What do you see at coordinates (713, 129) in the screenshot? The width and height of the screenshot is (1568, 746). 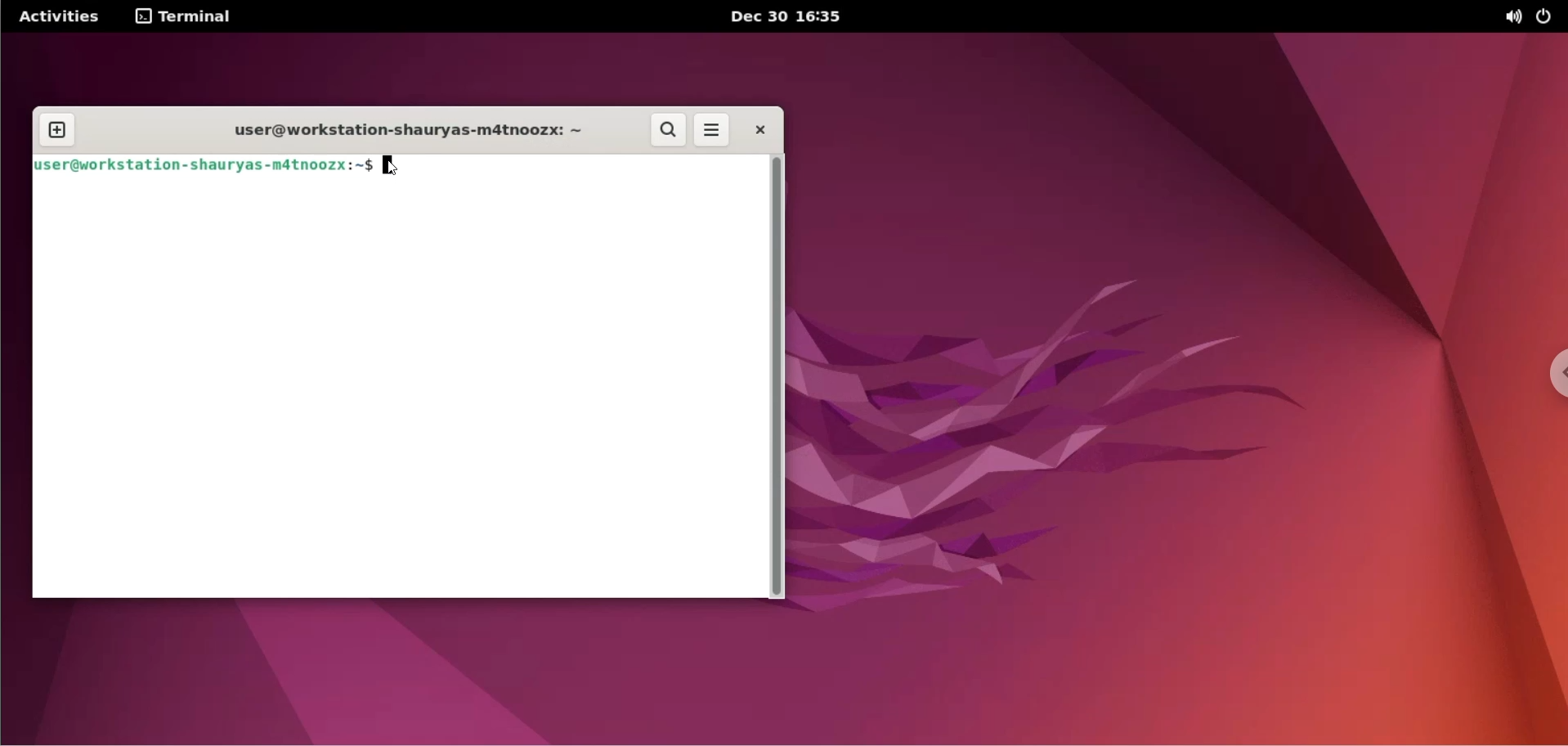 I see `more options` at bounding box center [713, 129].